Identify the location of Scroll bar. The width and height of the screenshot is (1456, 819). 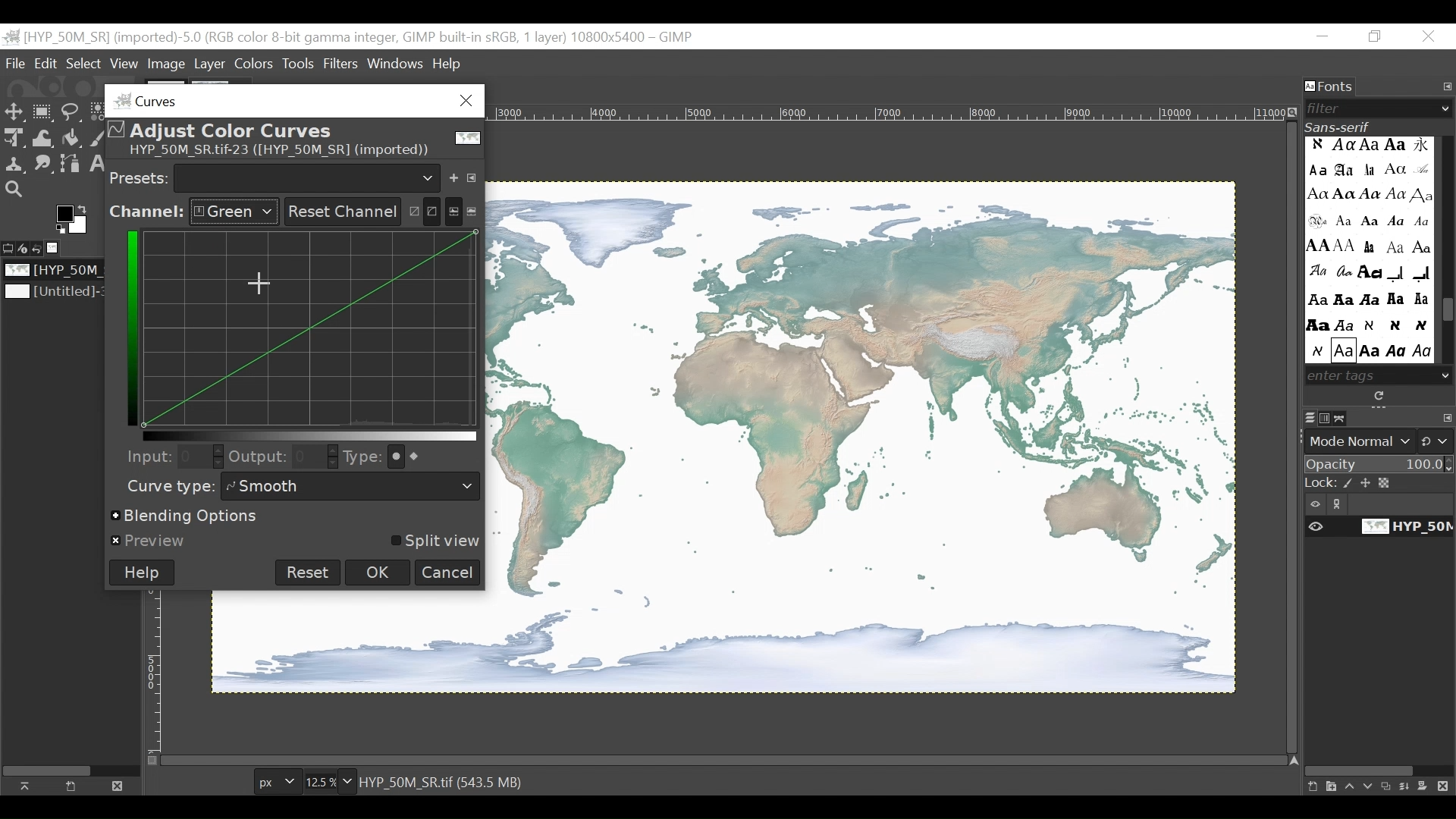
(1447, 312).